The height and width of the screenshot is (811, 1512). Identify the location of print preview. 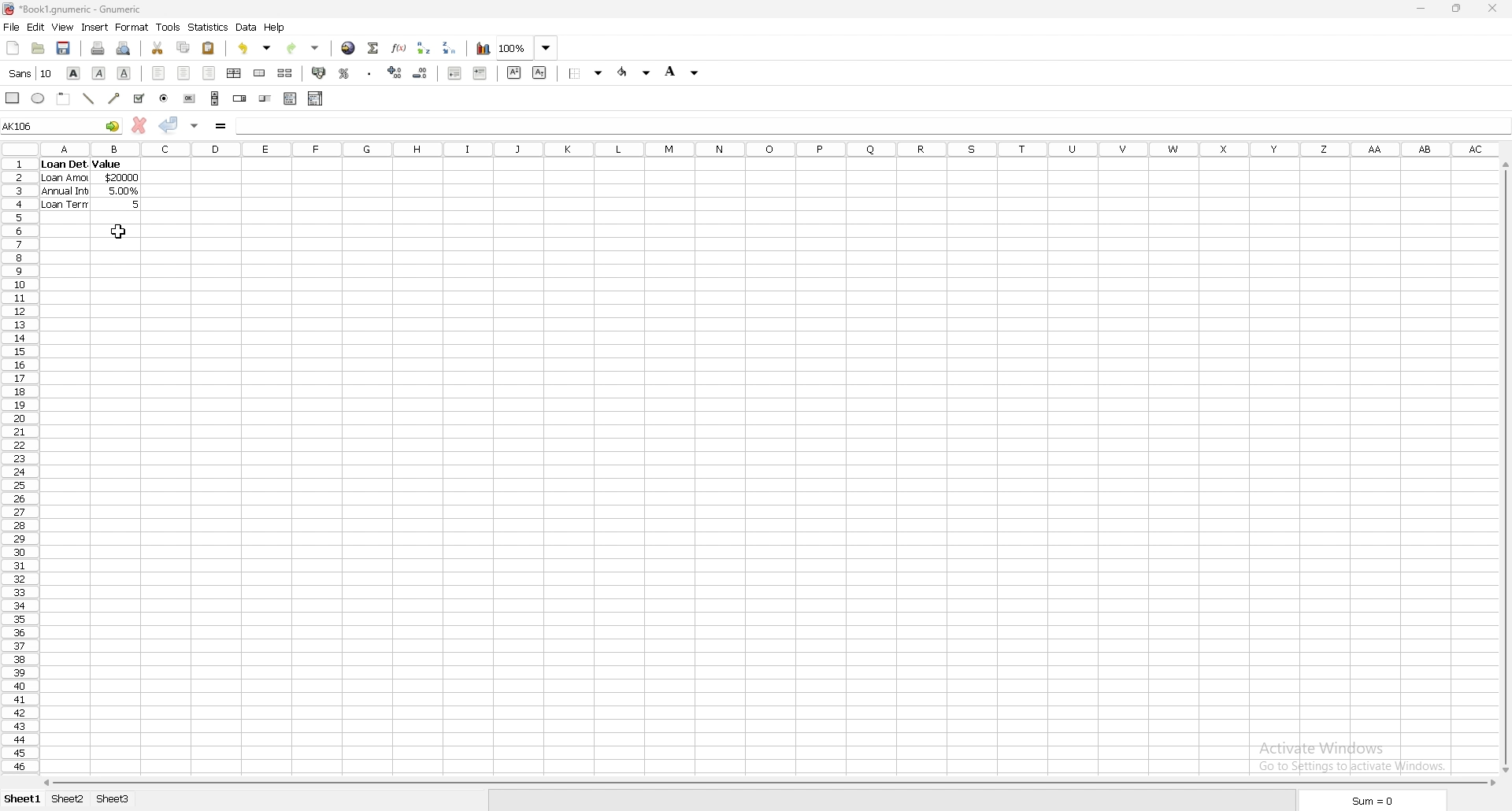
(124, 47).